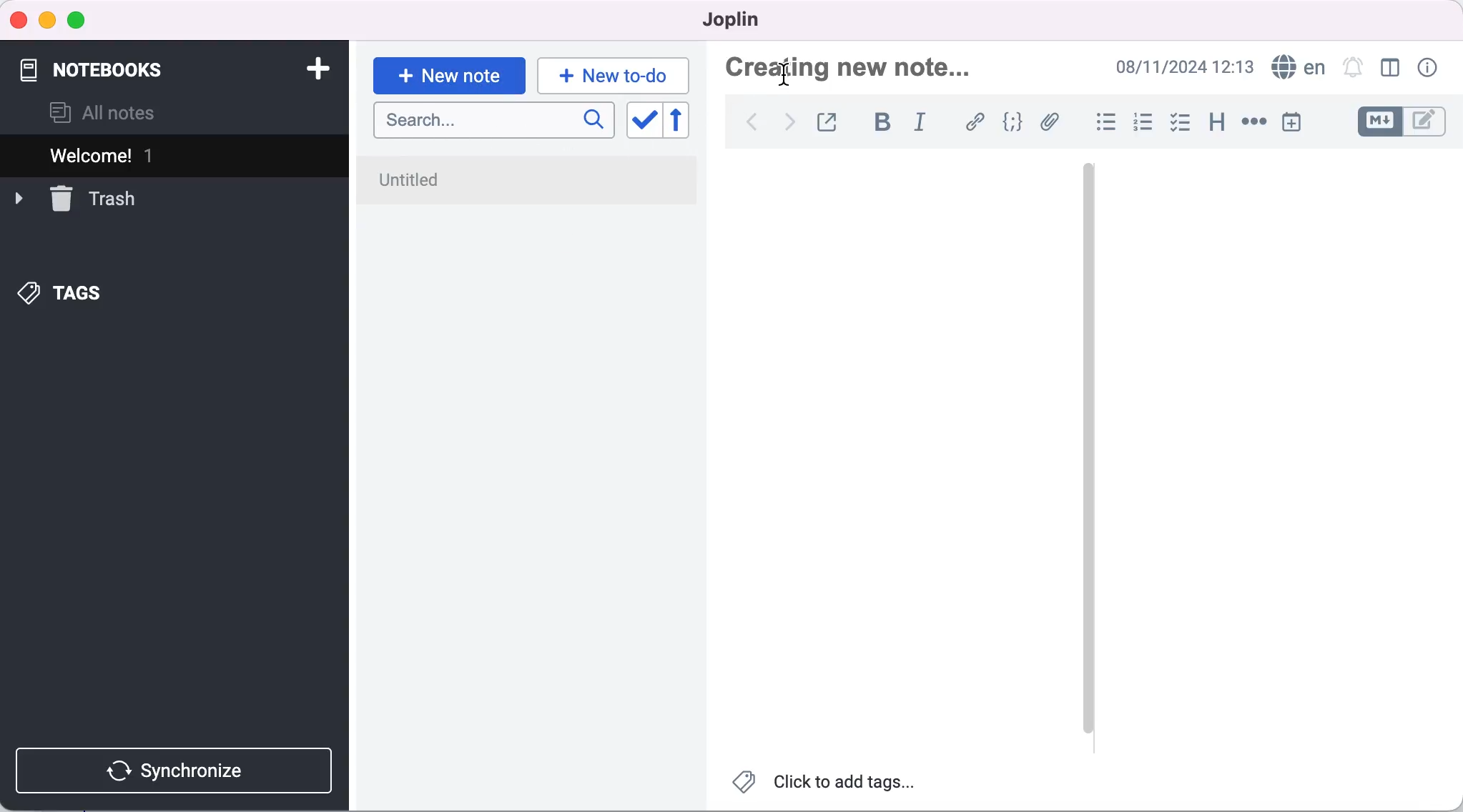  I want to click on untitled , so click(531, 181).